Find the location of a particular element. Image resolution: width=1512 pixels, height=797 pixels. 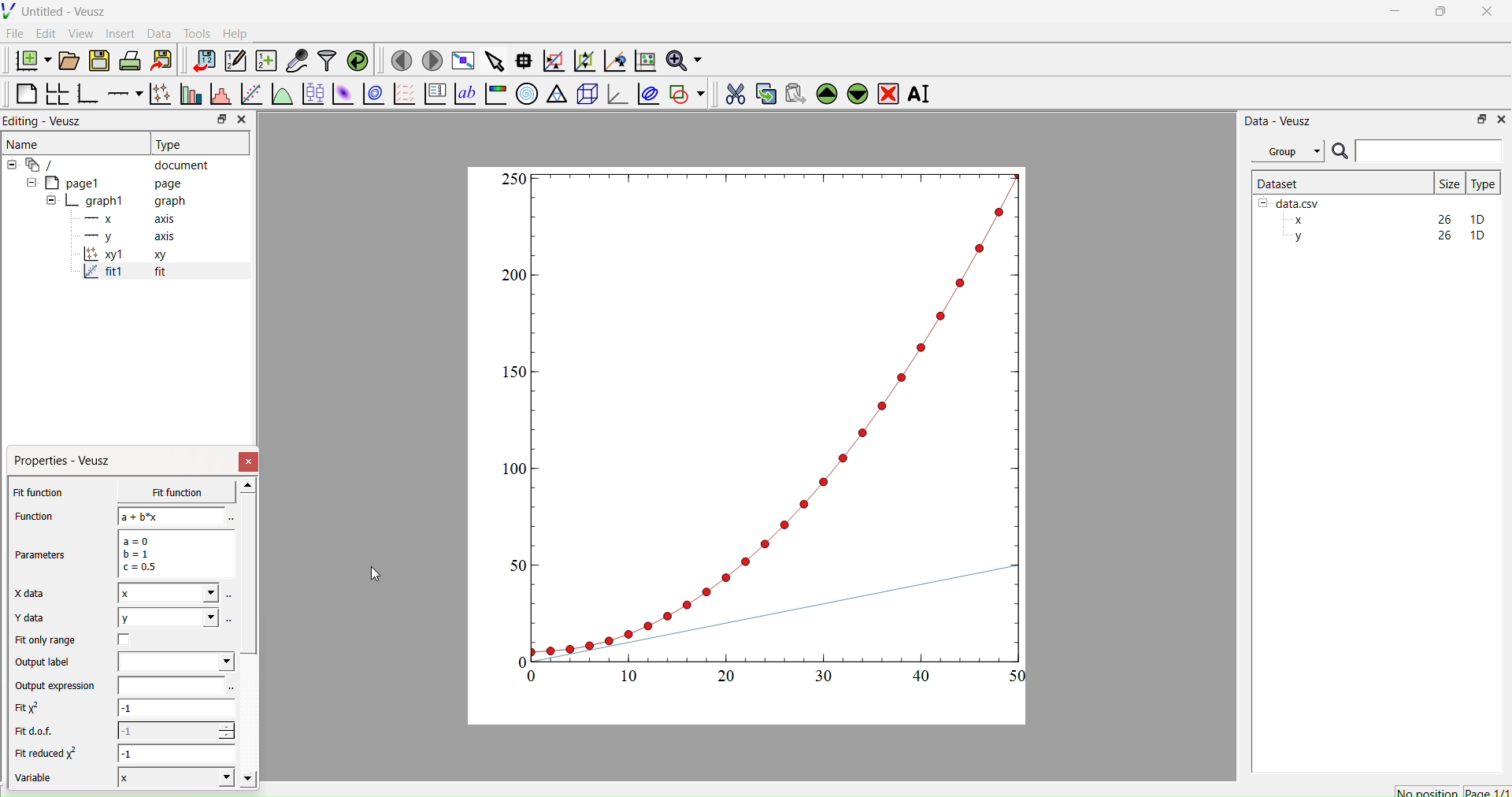

Search is located at coordinates (1340, 152).